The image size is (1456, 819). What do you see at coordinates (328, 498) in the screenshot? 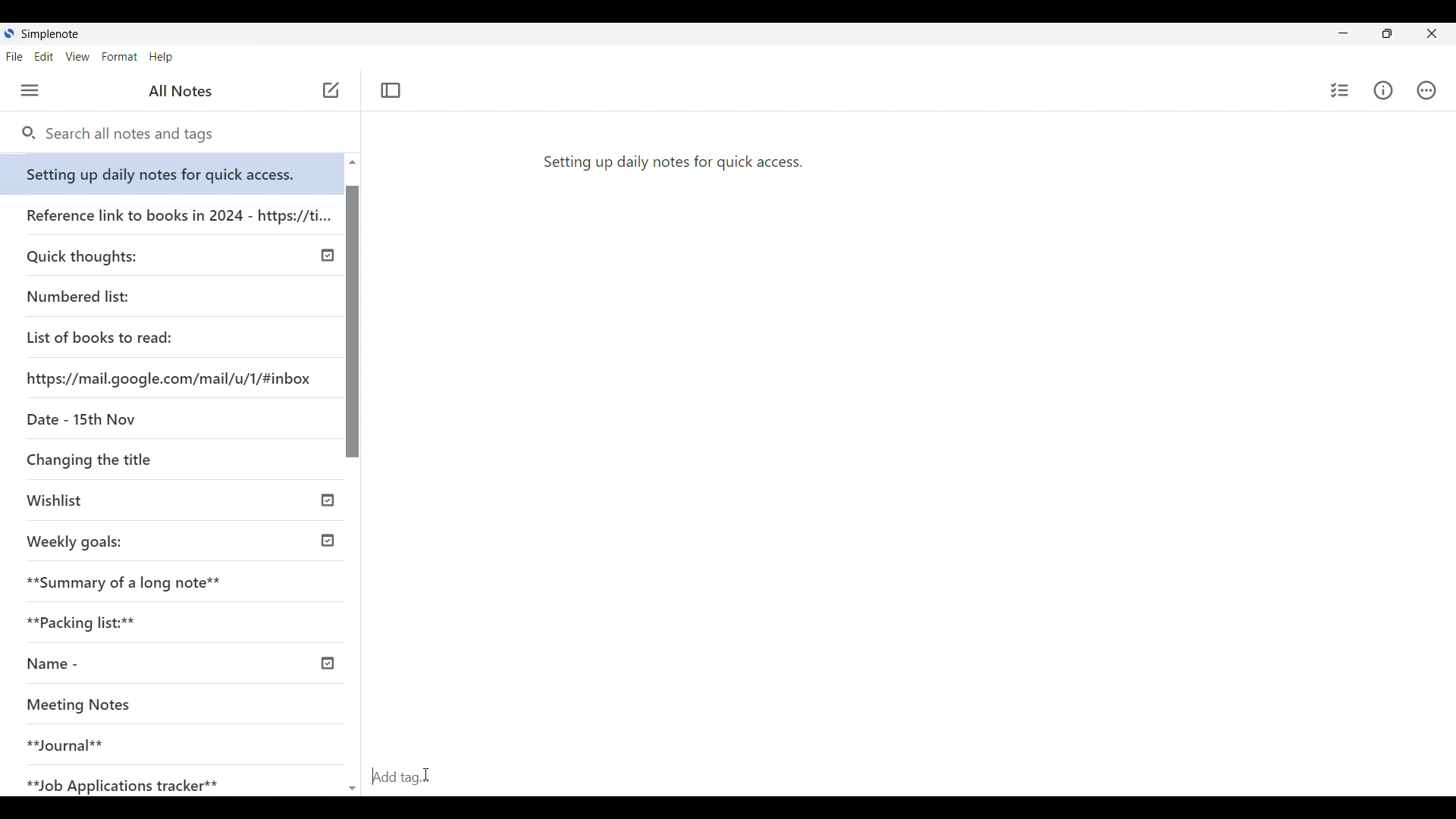
I see `published` at bounding box center [328, 498].